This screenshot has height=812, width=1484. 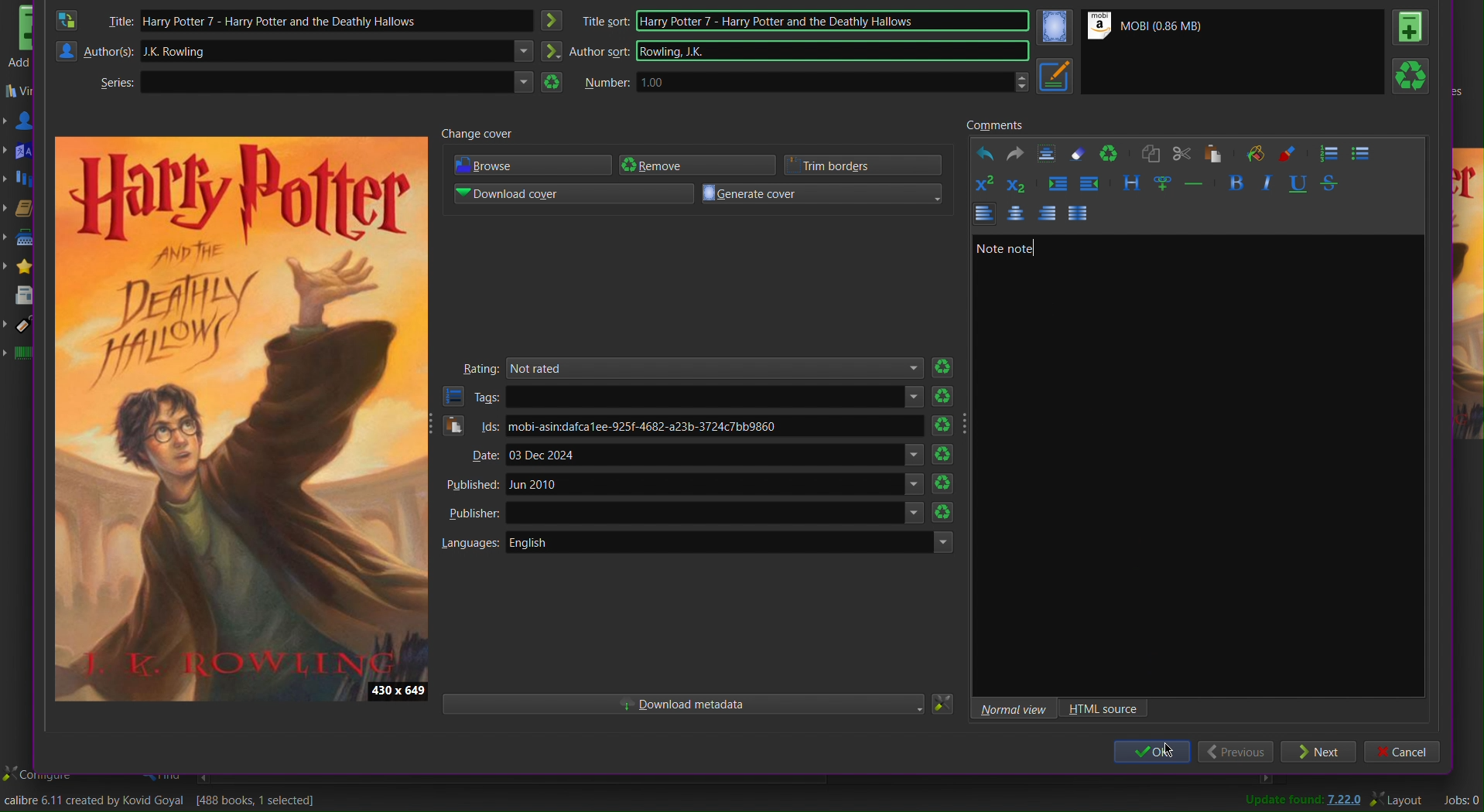 What do you see at coordinates (1291, 152) in the screenshot?
I see `Foreground color` at bounding box center [1291, 152].